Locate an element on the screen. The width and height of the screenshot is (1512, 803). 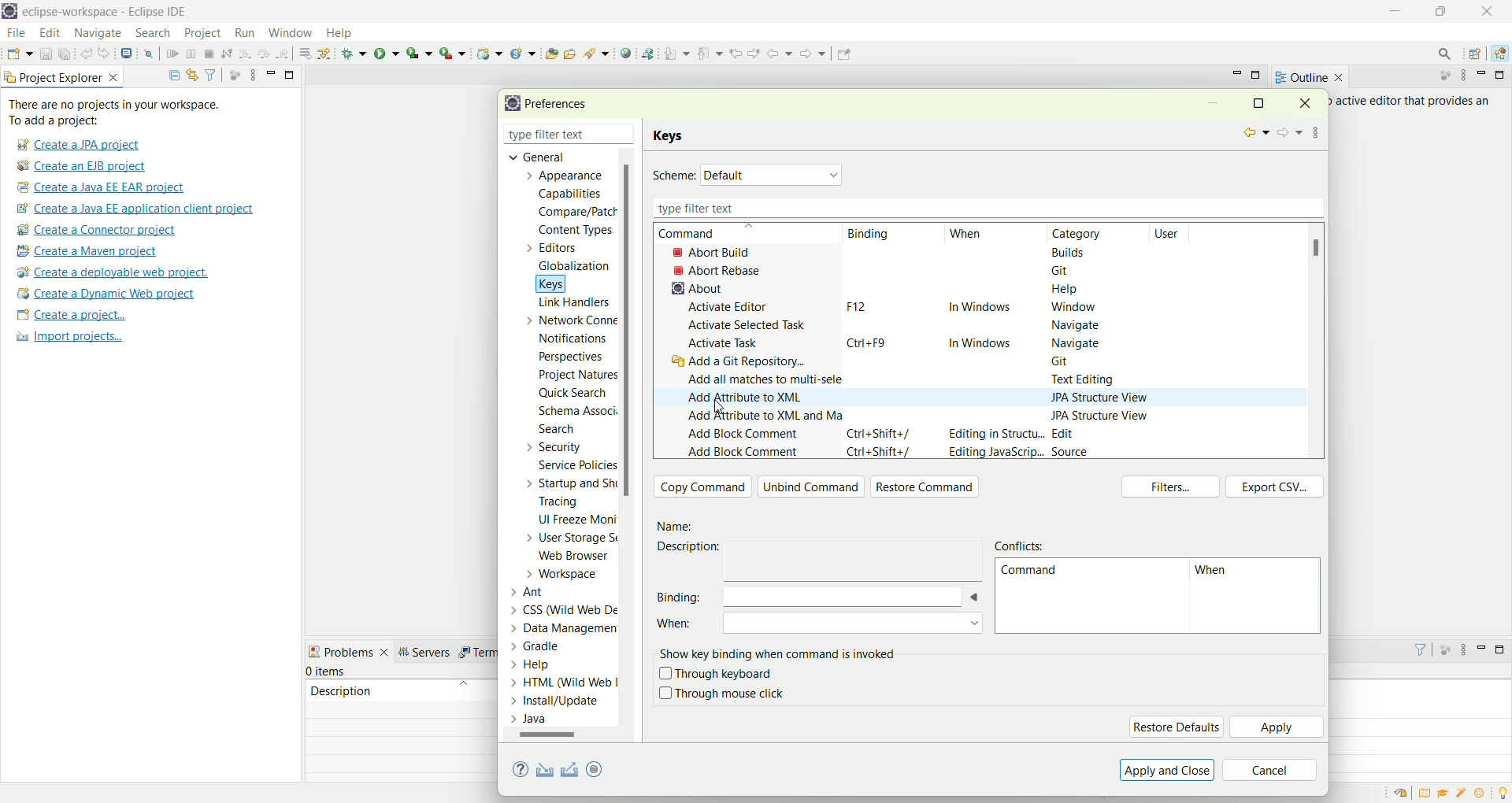
keys is located at coordinates (672, 136).